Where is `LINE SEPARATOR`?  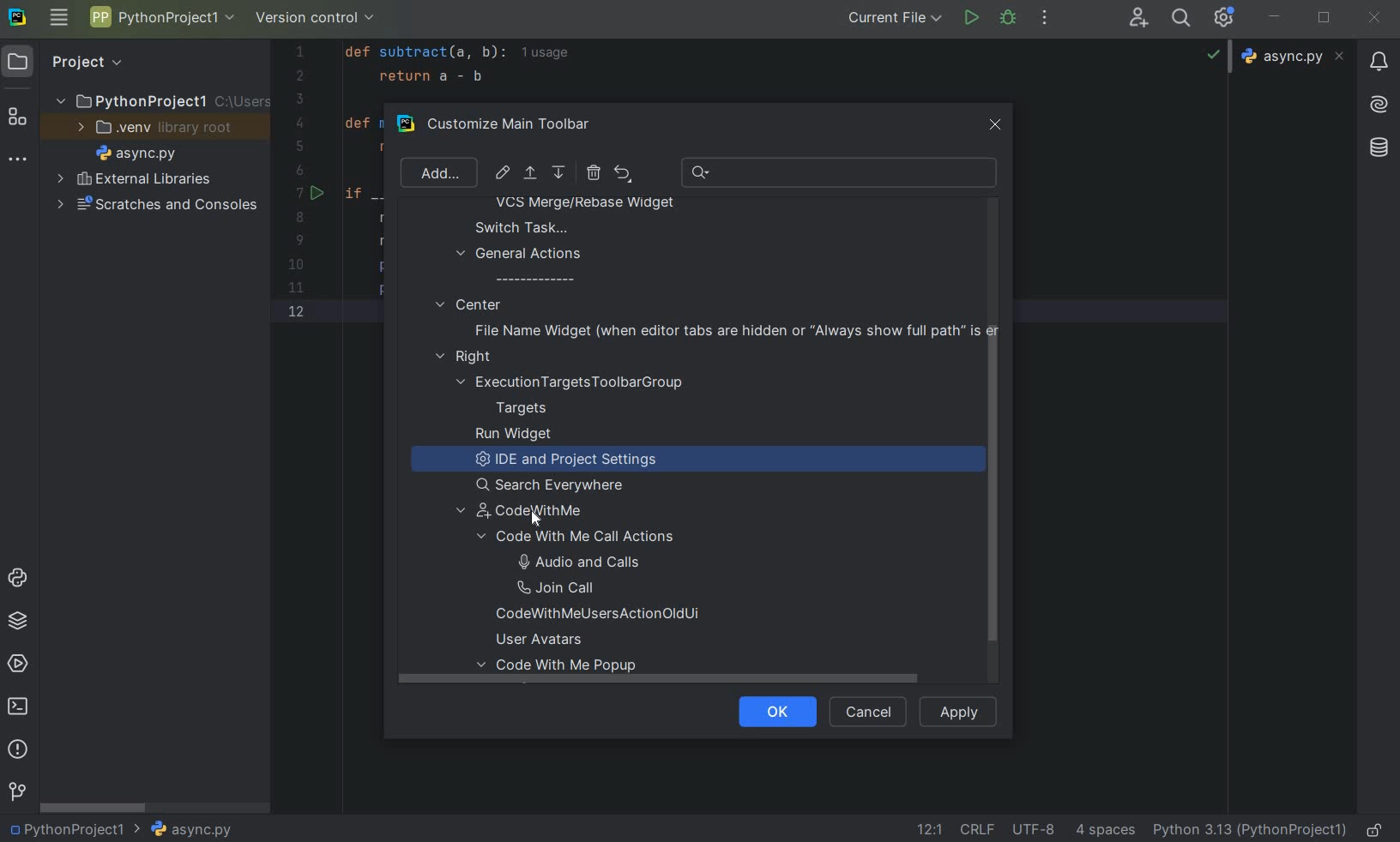
LINE SEPARATOR is located at coordinates (979, 828).